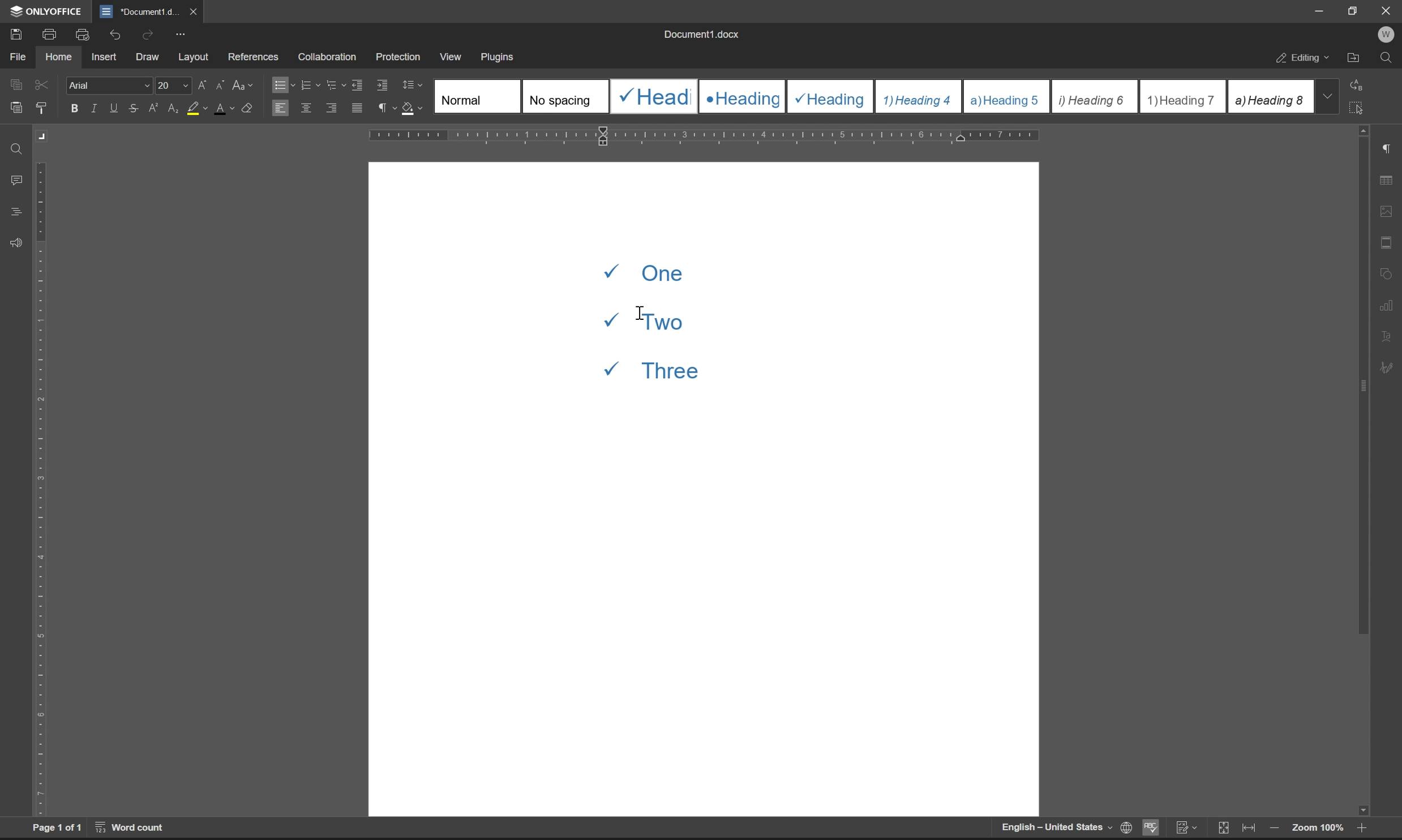 This screenshot has height=840, width=1402. Describe the element at coordinates (18, 150) in the screenshot. I see `find` at that location.